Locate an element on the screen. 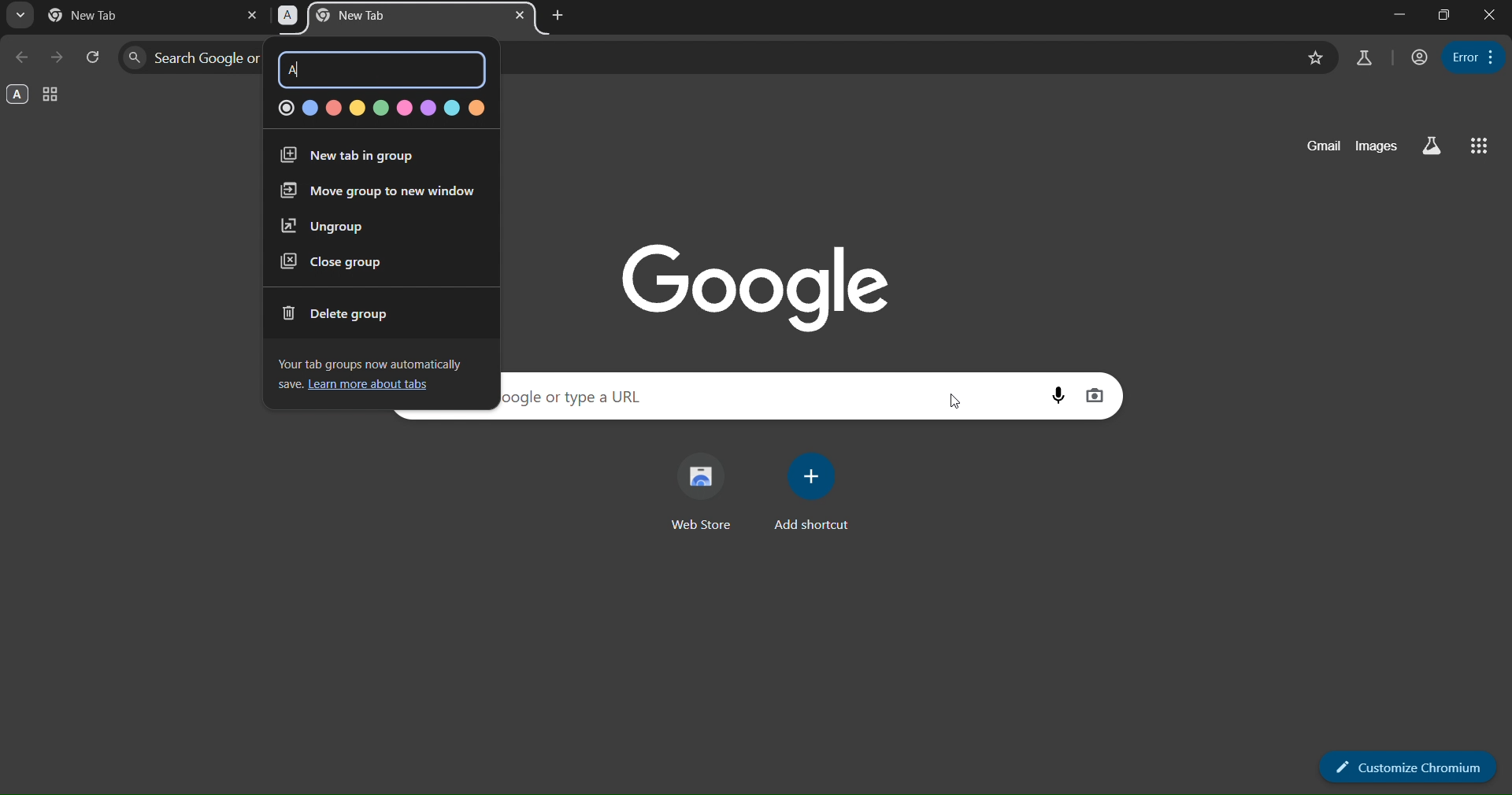 Image resolution: width=1512 pixels, height=795 pixels. add shortcut is located at coordinates (813, 494).